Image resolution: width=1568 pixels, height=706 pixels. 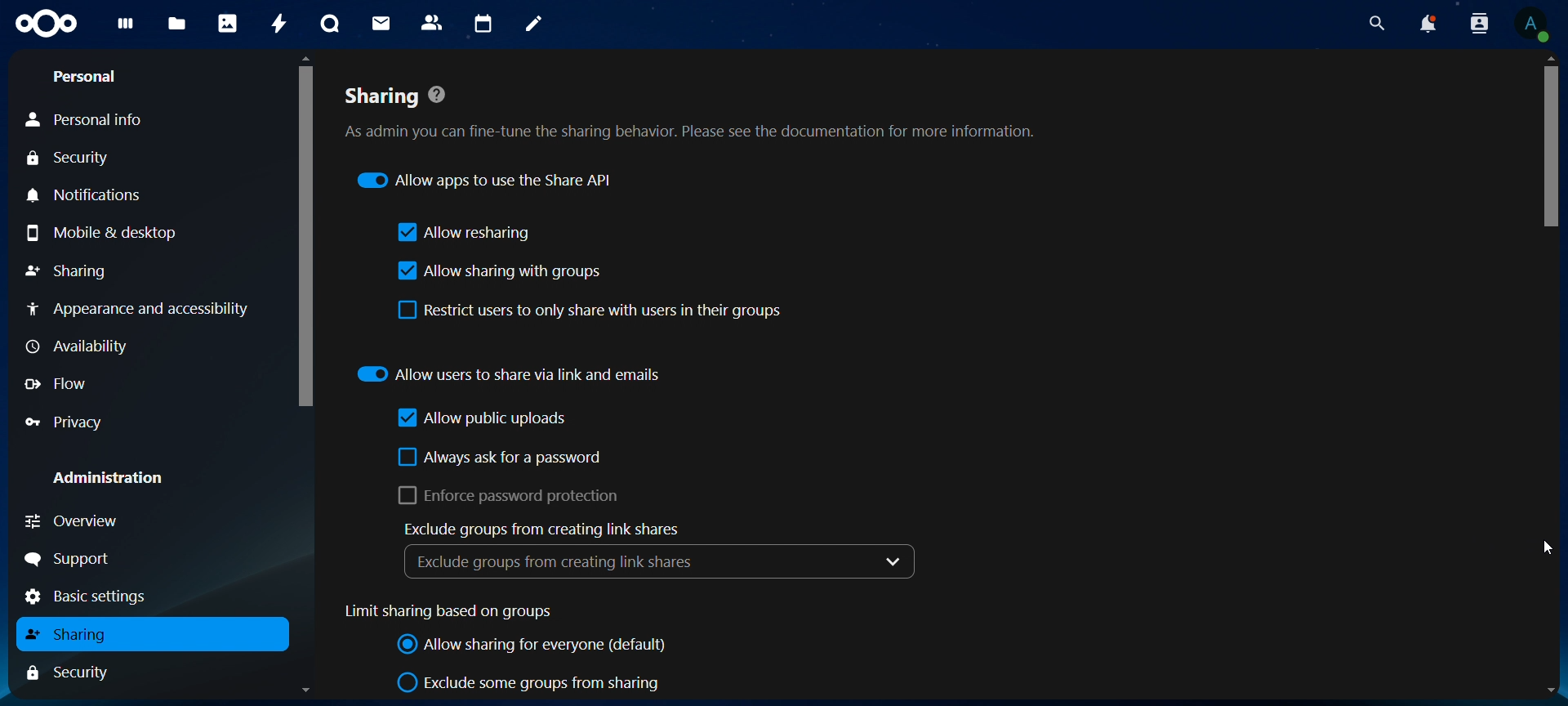 What do you see at coordinates (514, 458) in the screenshot?
I see `always ask for a password` at bounding box center [514, 458].